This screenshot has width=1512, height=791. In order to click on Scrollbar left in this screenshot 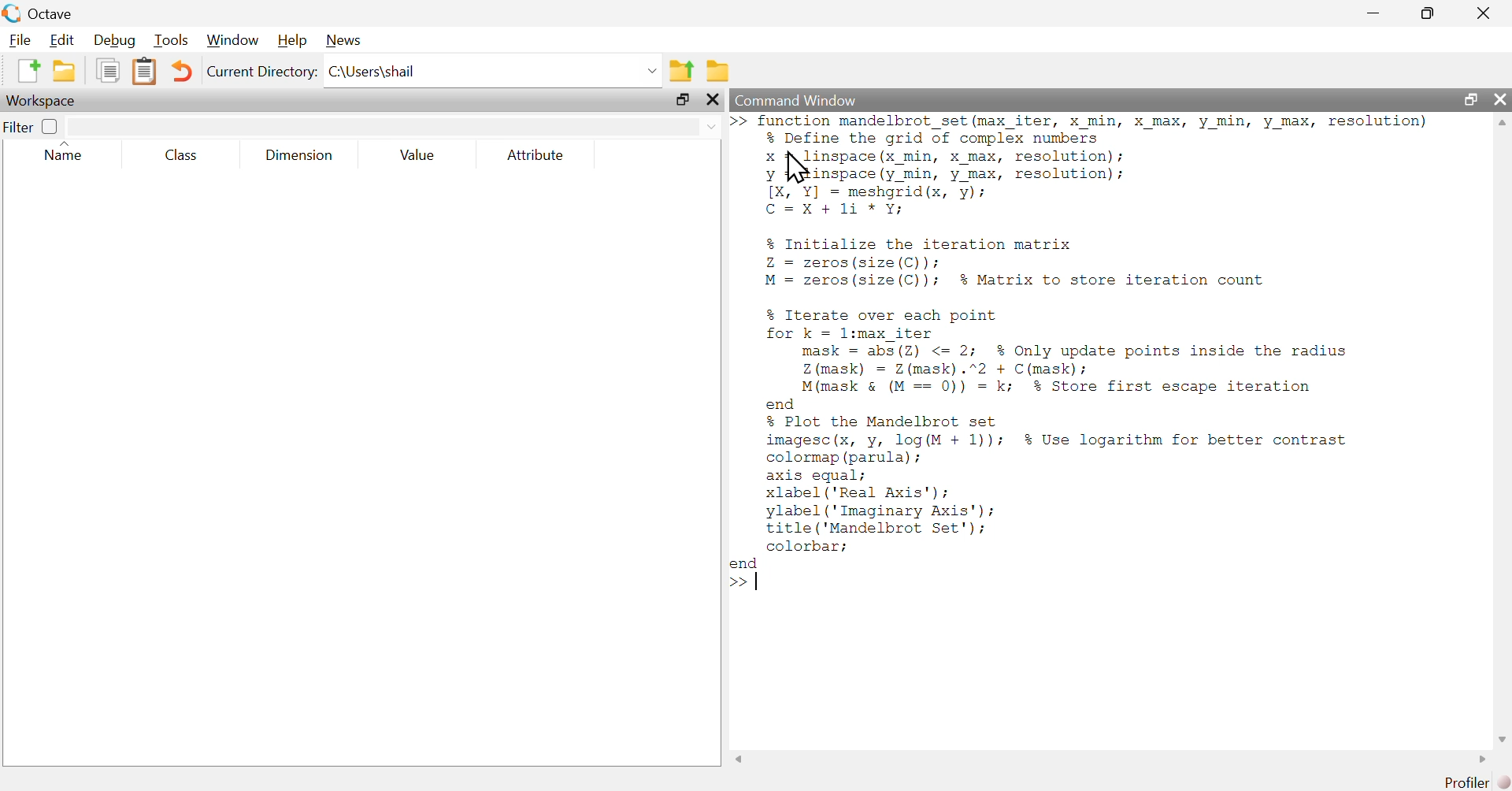, I will do `click(740, 758)`.